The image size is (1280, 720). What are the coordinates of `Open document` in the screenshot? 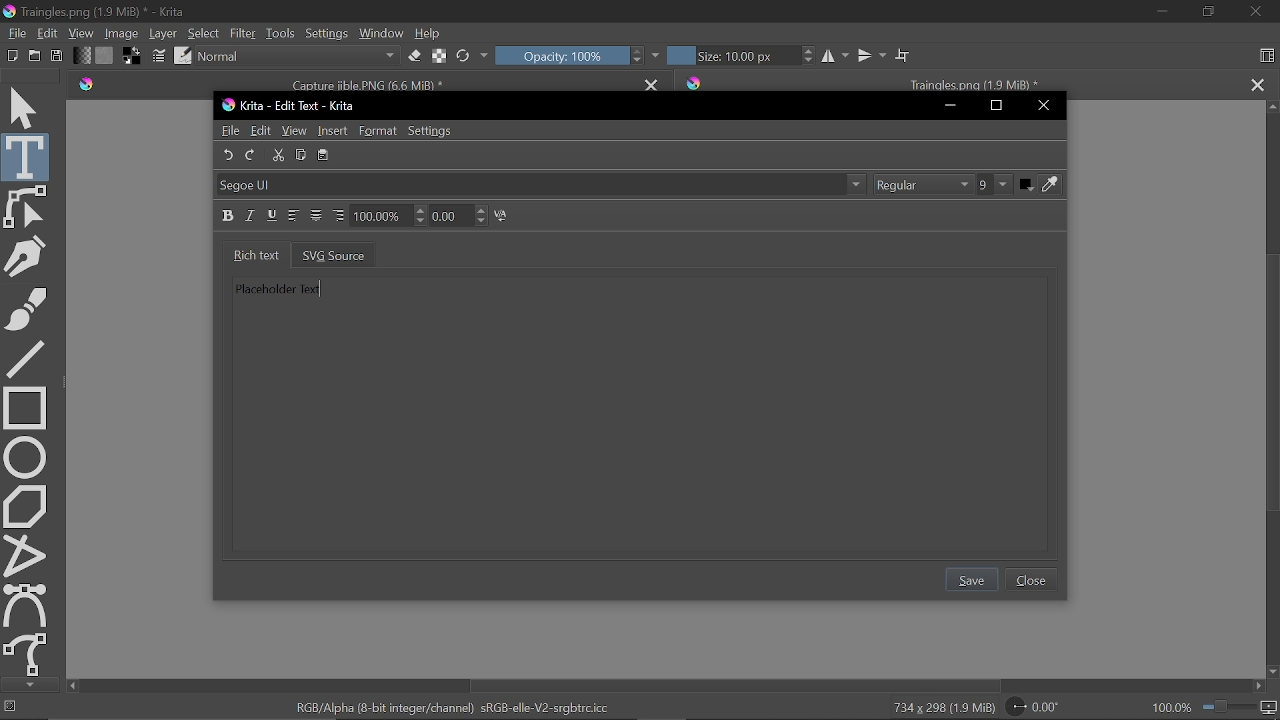 It's located at (34, 56).